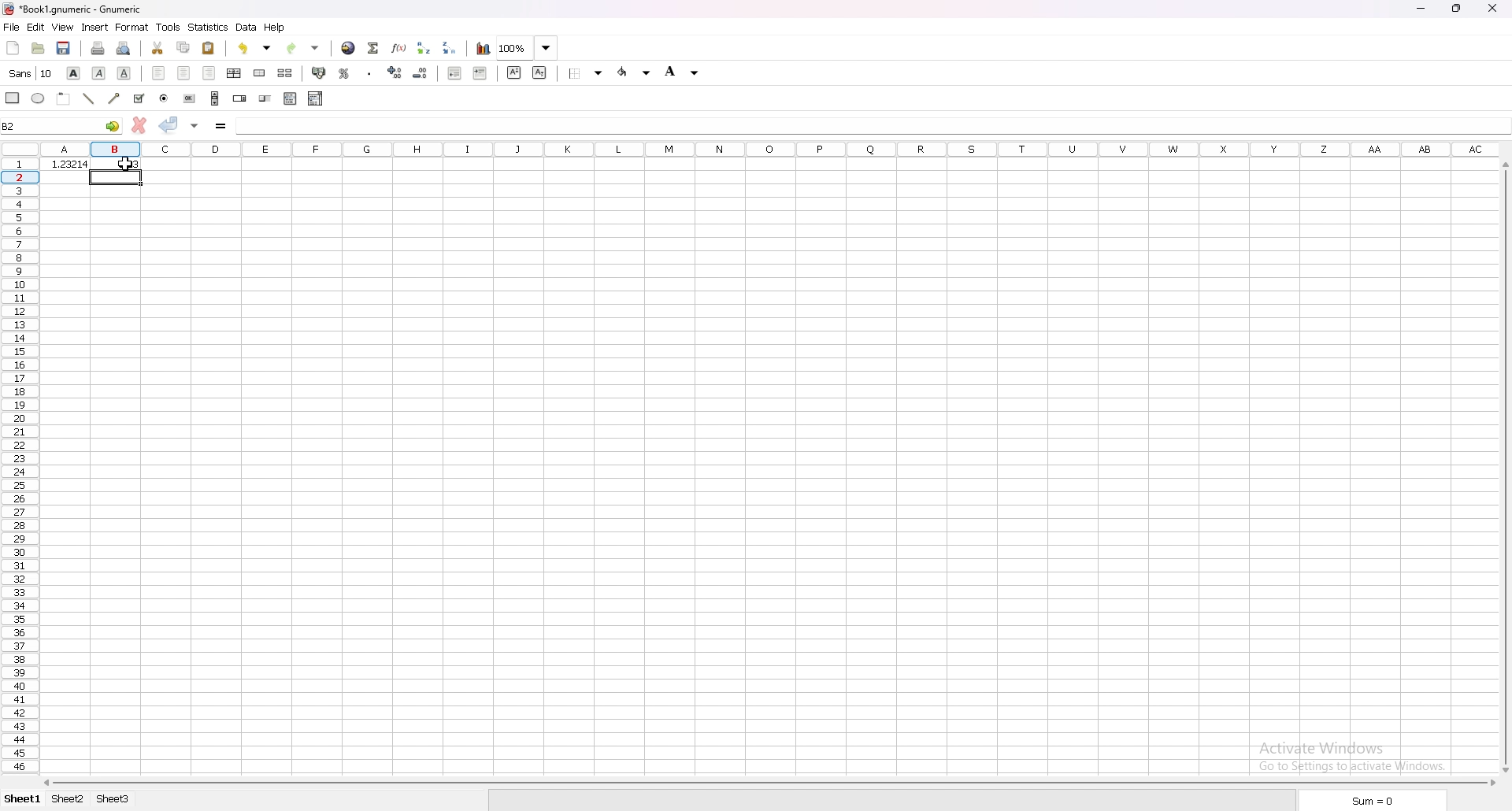 The width and height of the screenshot is (1512, 811). I want to click on insert, so click(94, 28).